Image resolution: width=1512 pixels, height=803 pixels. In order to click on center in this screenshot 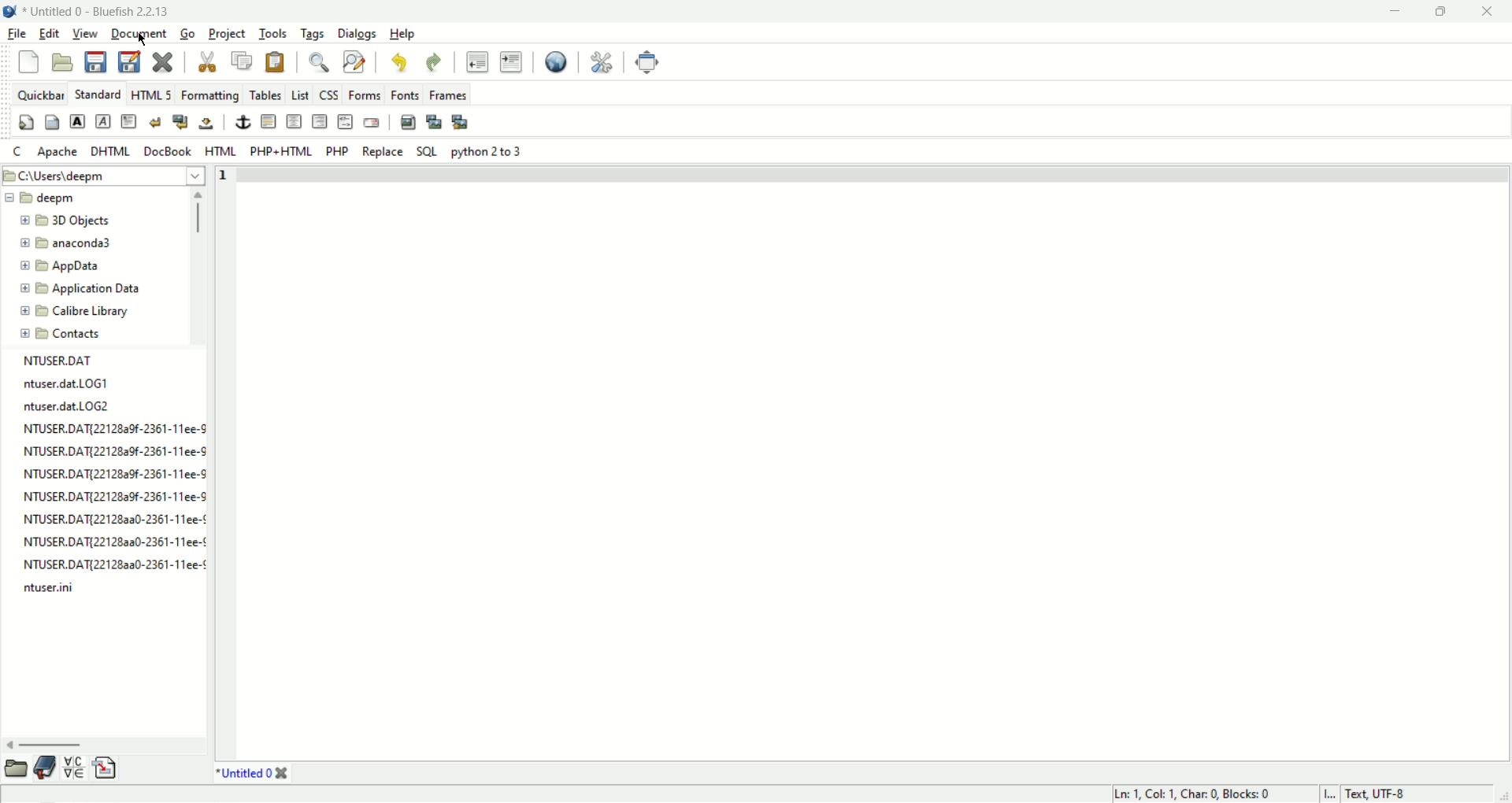, I will do `click(294, 121)`.